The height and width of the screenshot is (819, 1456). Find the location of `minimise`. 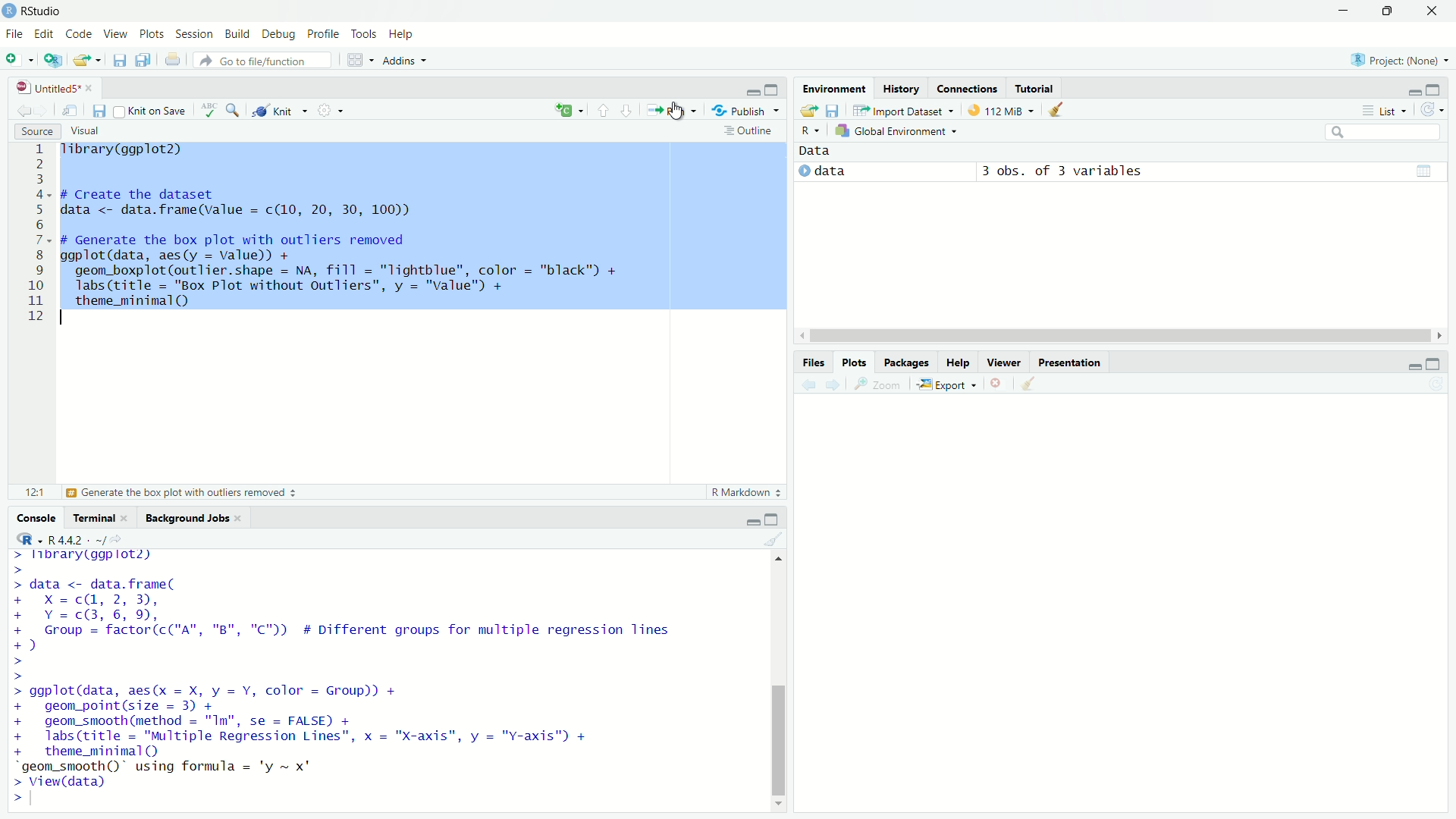

minimise is located at coordinates (755, 517).